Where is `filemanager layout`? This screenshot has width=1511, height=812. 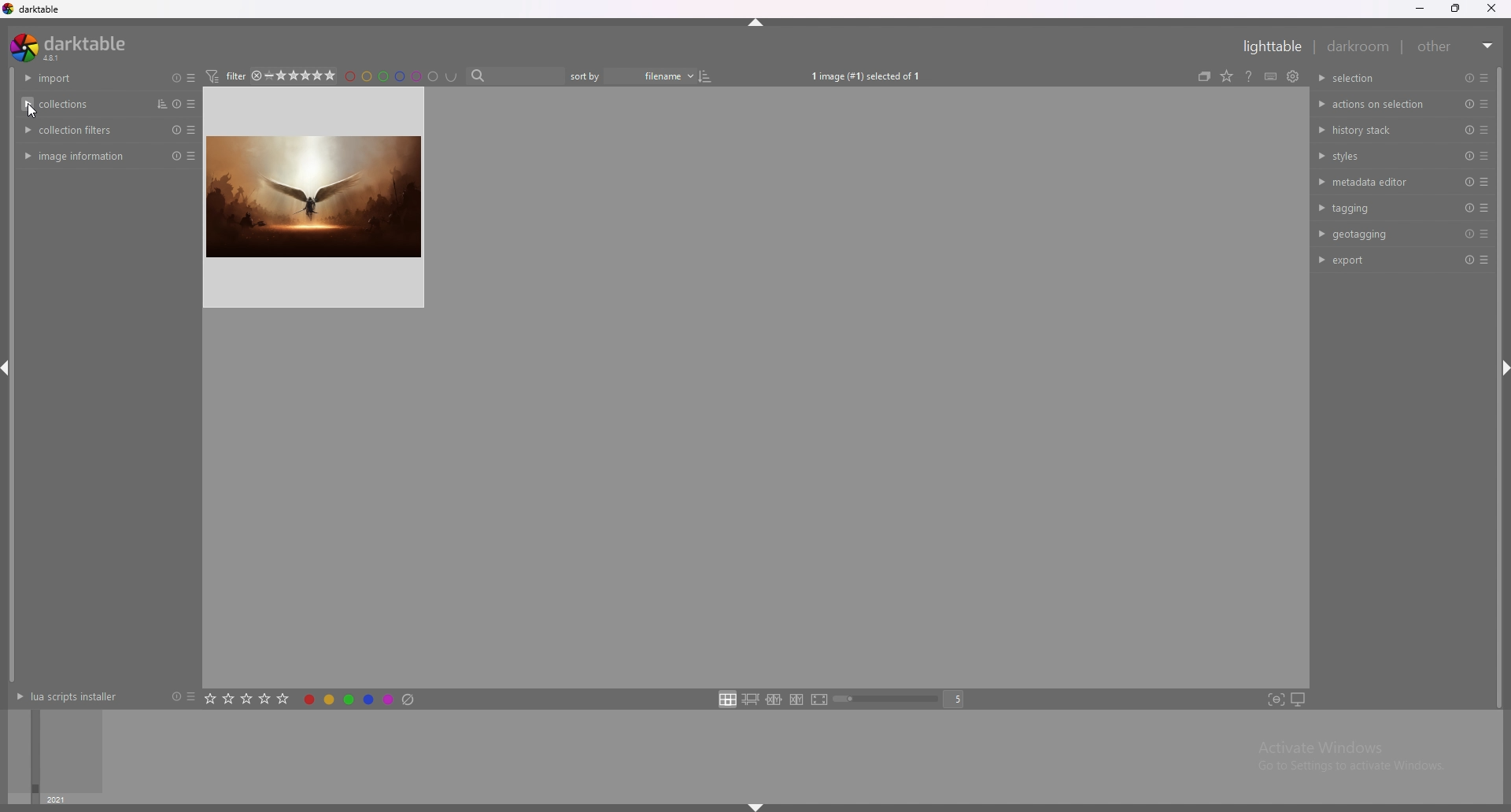 filemanager layout is located at coordinates (727, 699).